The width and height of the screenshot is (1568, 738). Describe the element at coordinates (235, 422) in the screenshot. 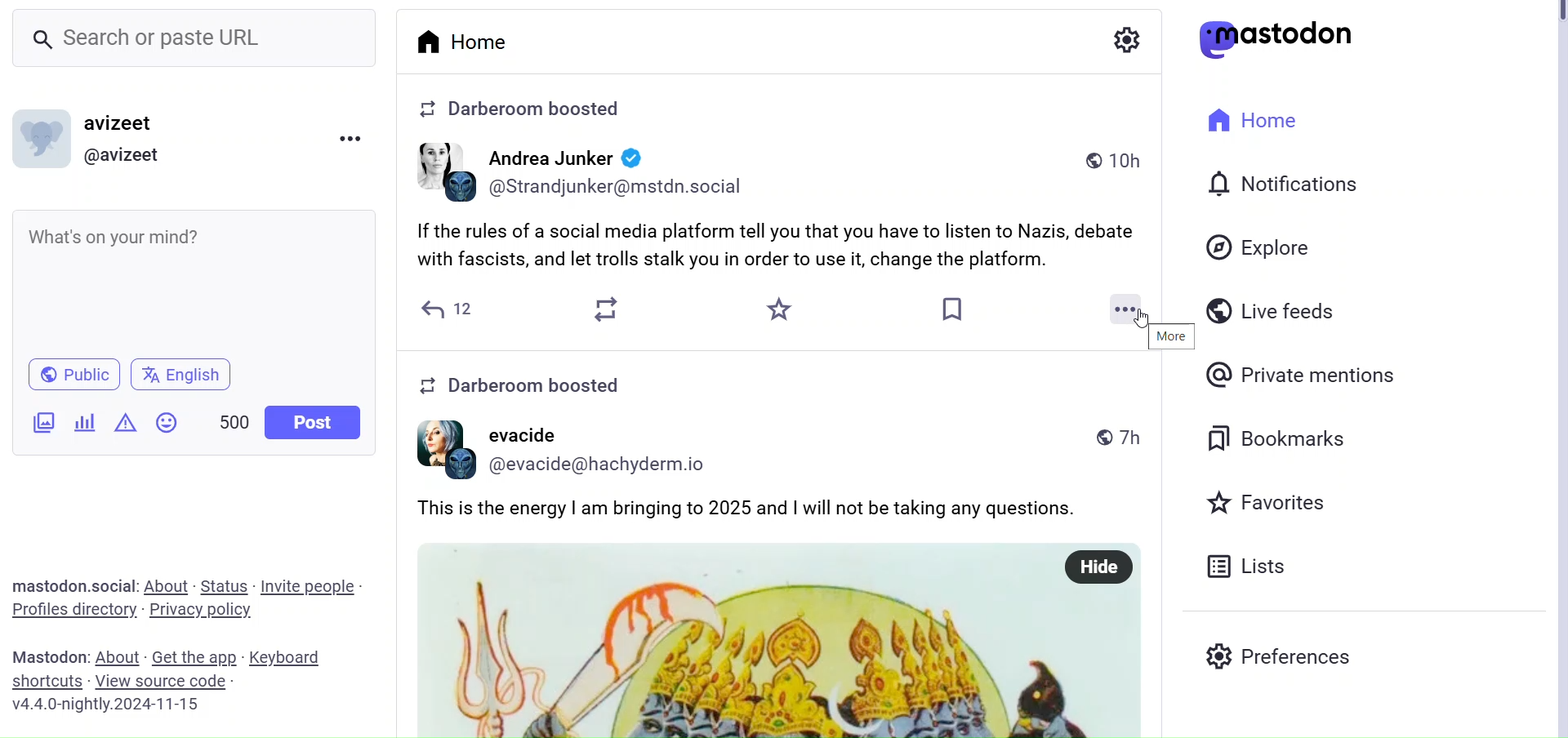

I see `Word Limit` at that location.